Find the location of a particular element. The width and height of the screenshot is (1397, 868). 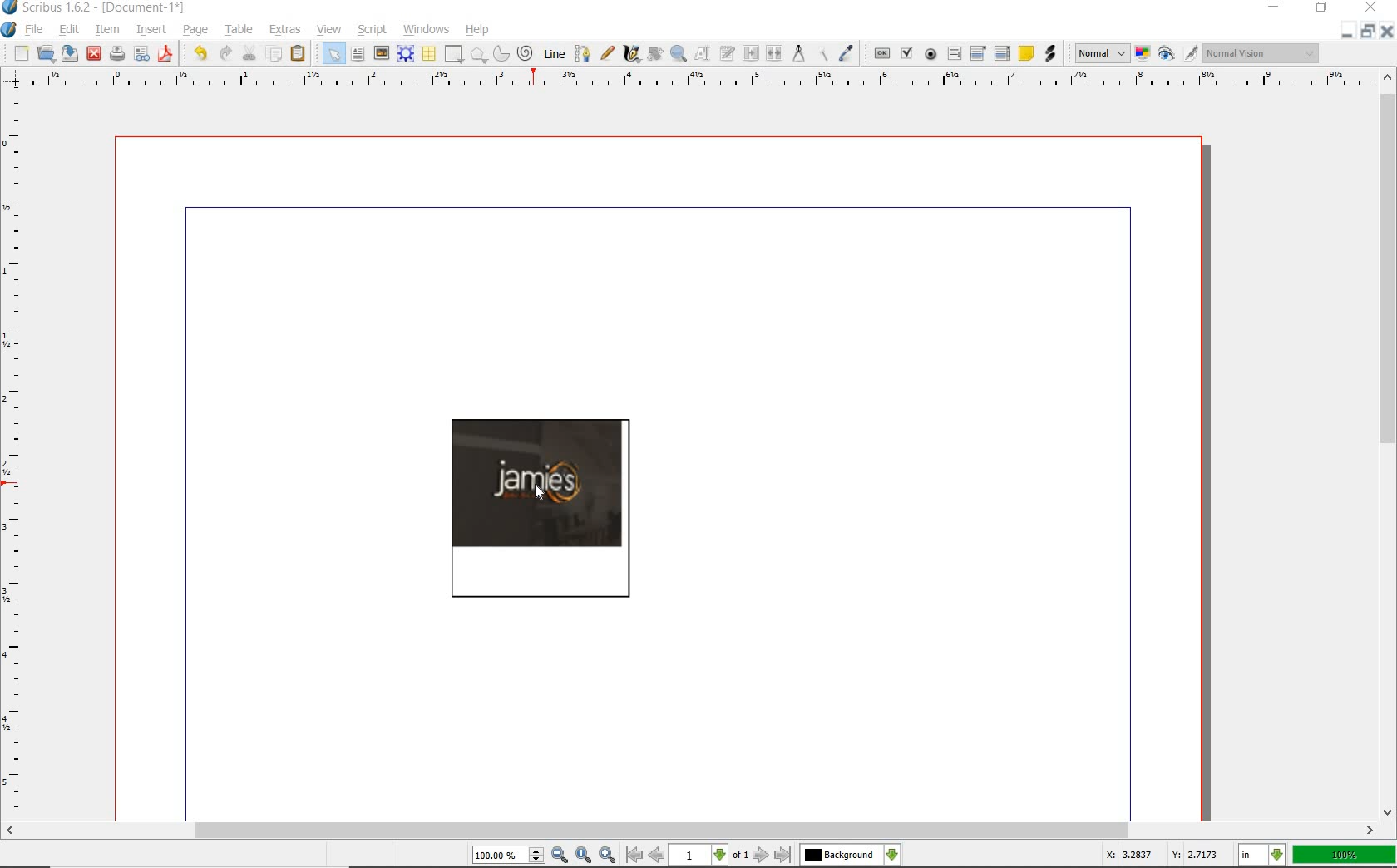

measurements is located at coordinates (799, 52).